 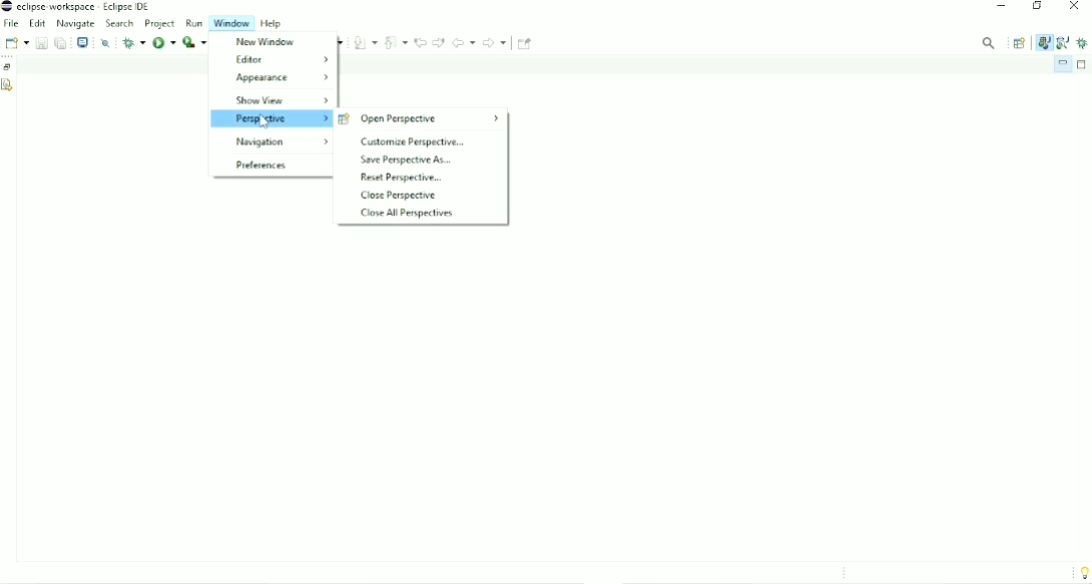 I want to click on Next Annotation, so click(x=366, y=42).